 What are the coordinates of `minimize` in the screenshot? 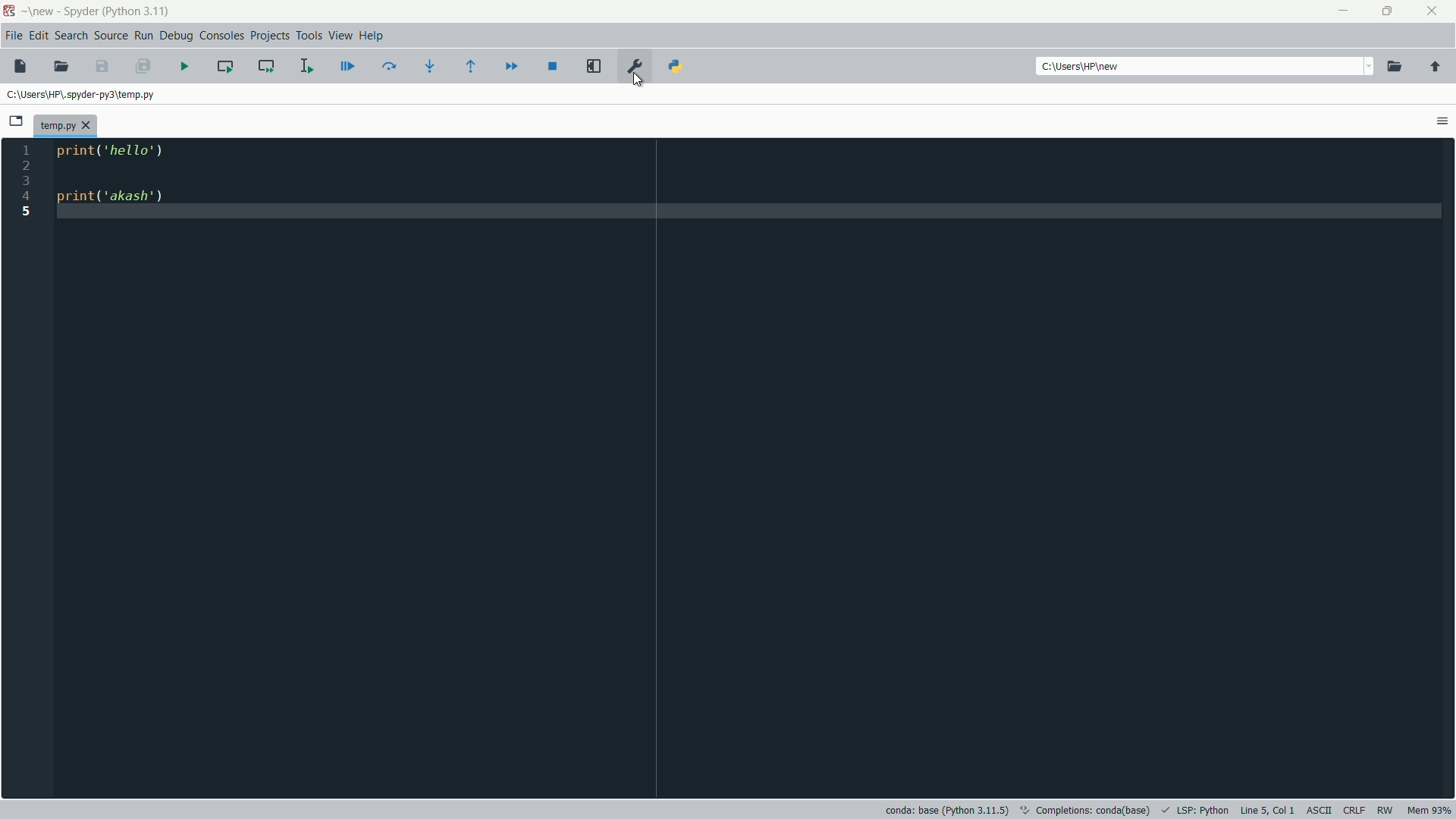 It's located at (1344, 13).